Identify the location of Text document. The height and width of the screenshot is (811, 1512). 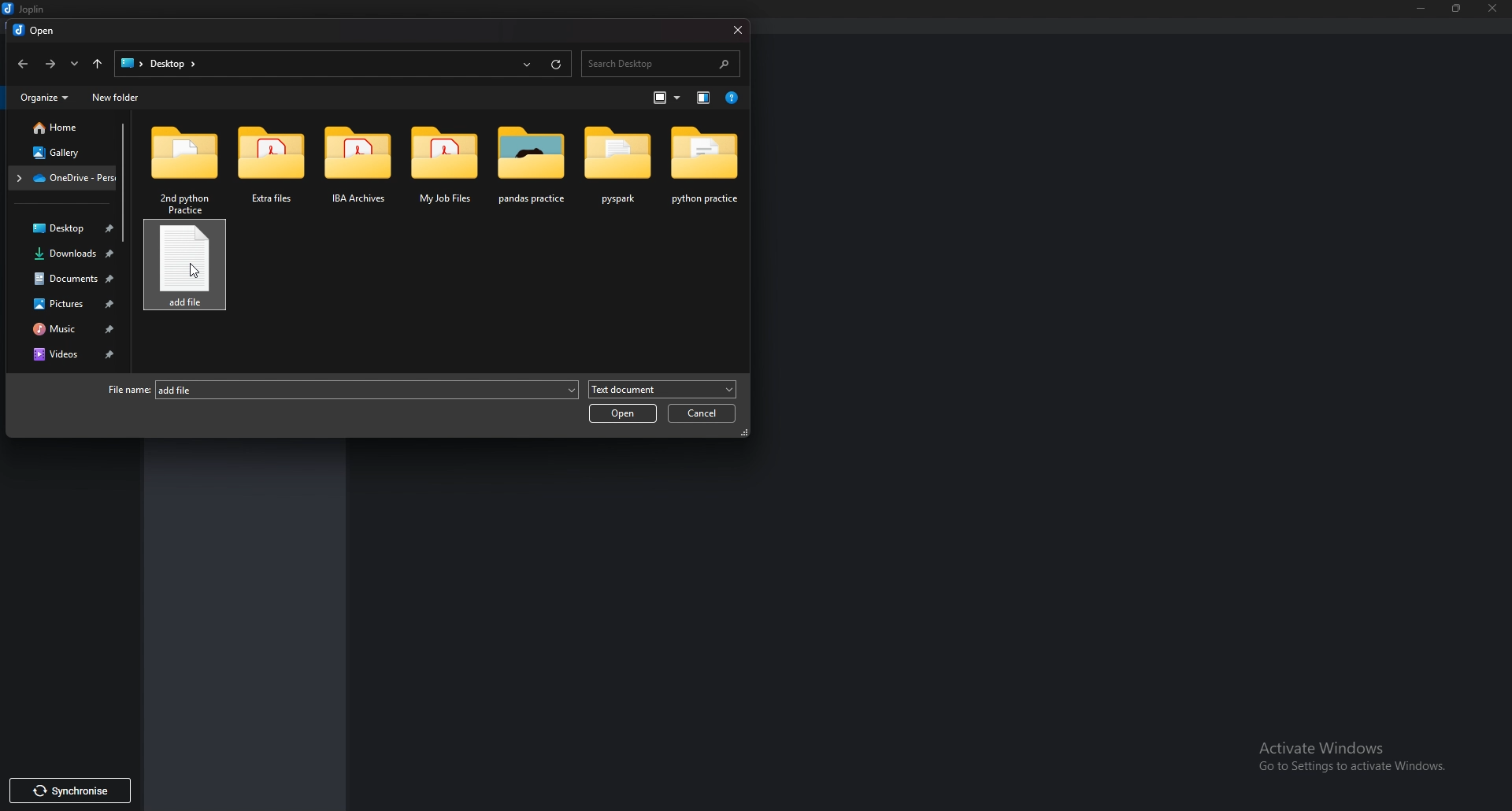
(658, 391).